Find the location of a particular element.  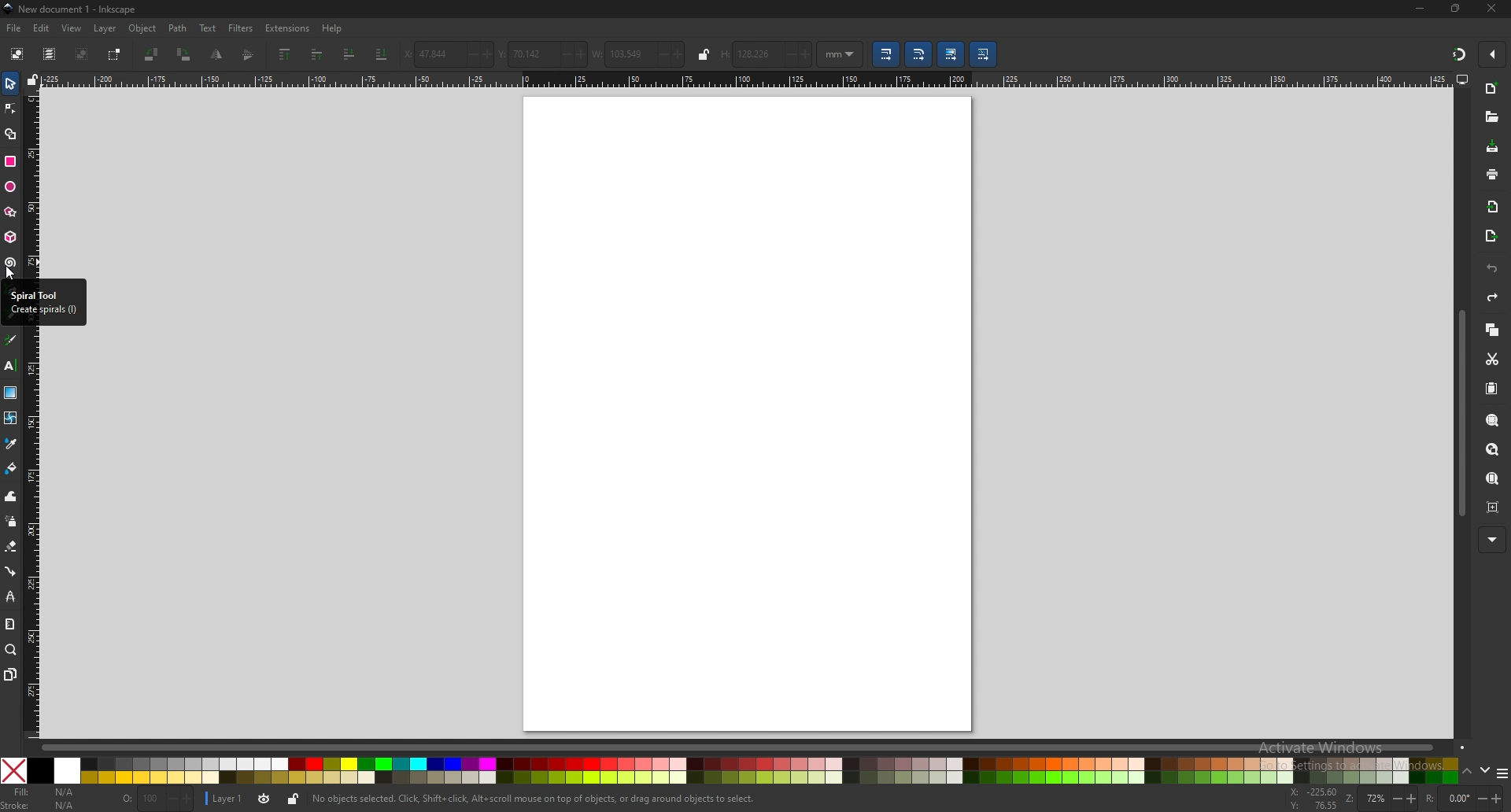

view is located at coordinates (72, 29).